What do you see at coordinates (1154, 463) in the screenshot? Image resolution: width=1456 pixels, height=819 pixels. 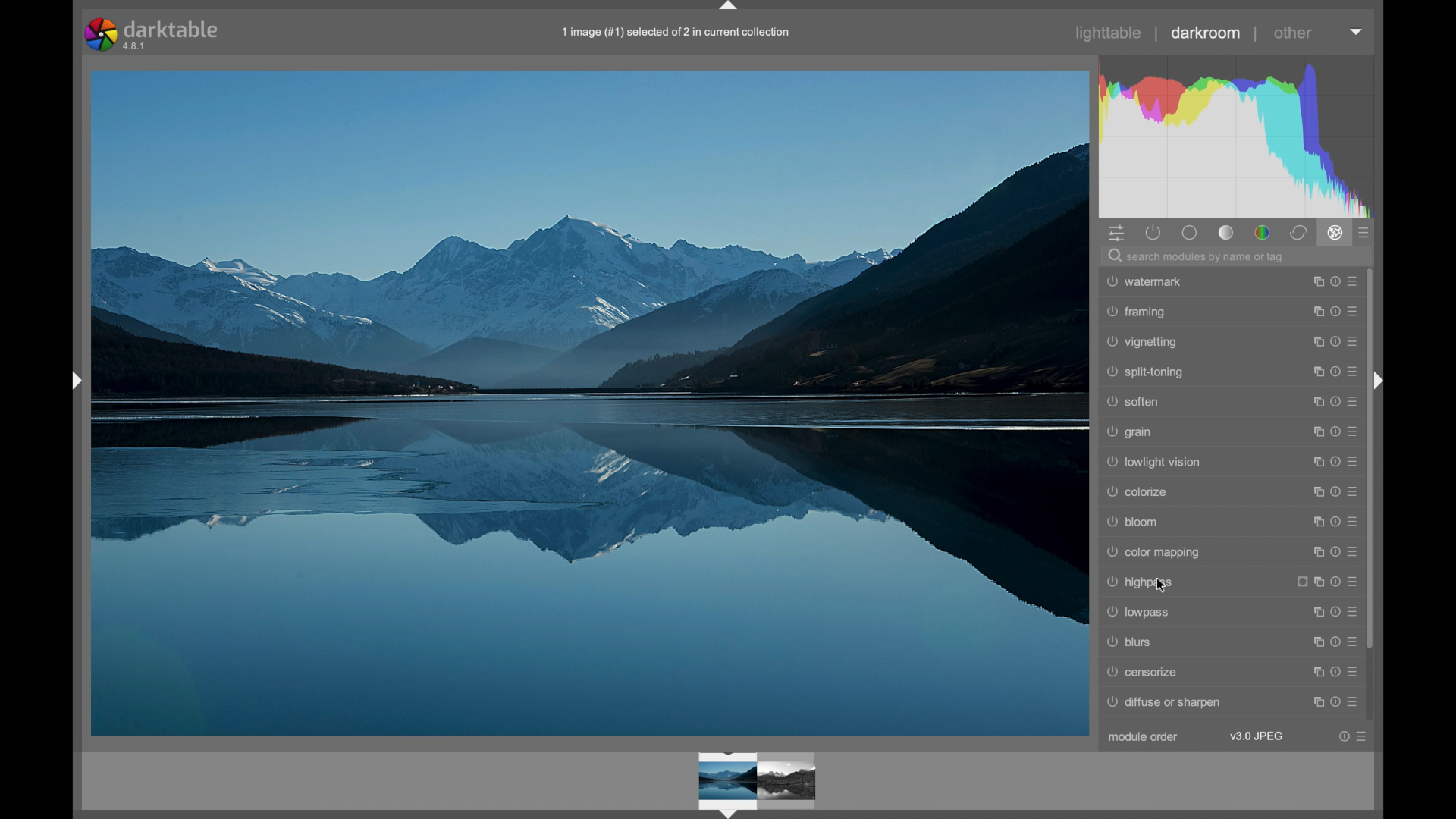 I see `lowlightvision` at bounding box center [1154, 463].